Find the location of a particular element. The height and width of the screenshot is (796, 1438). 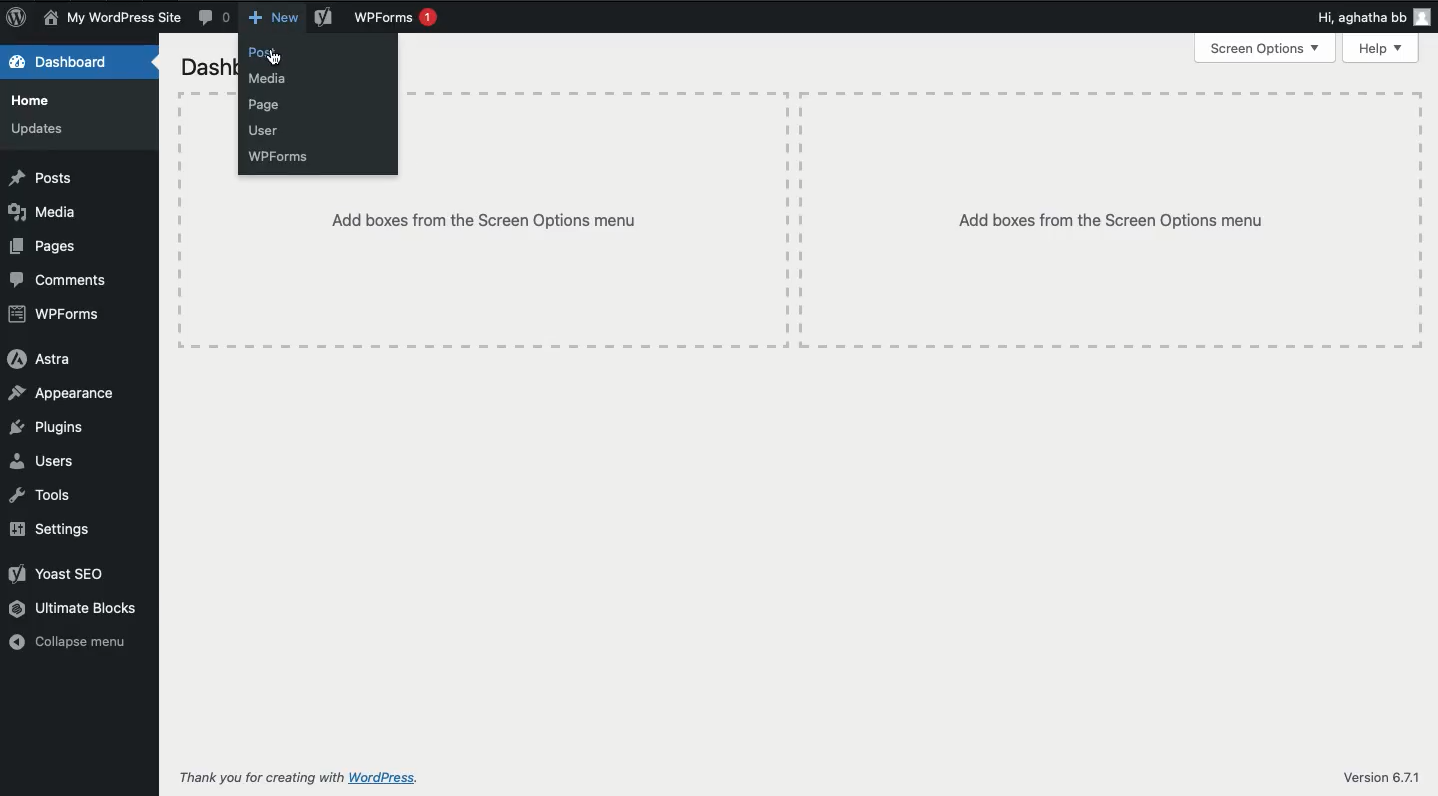

Screen options is located at coordinates (1267, 49).